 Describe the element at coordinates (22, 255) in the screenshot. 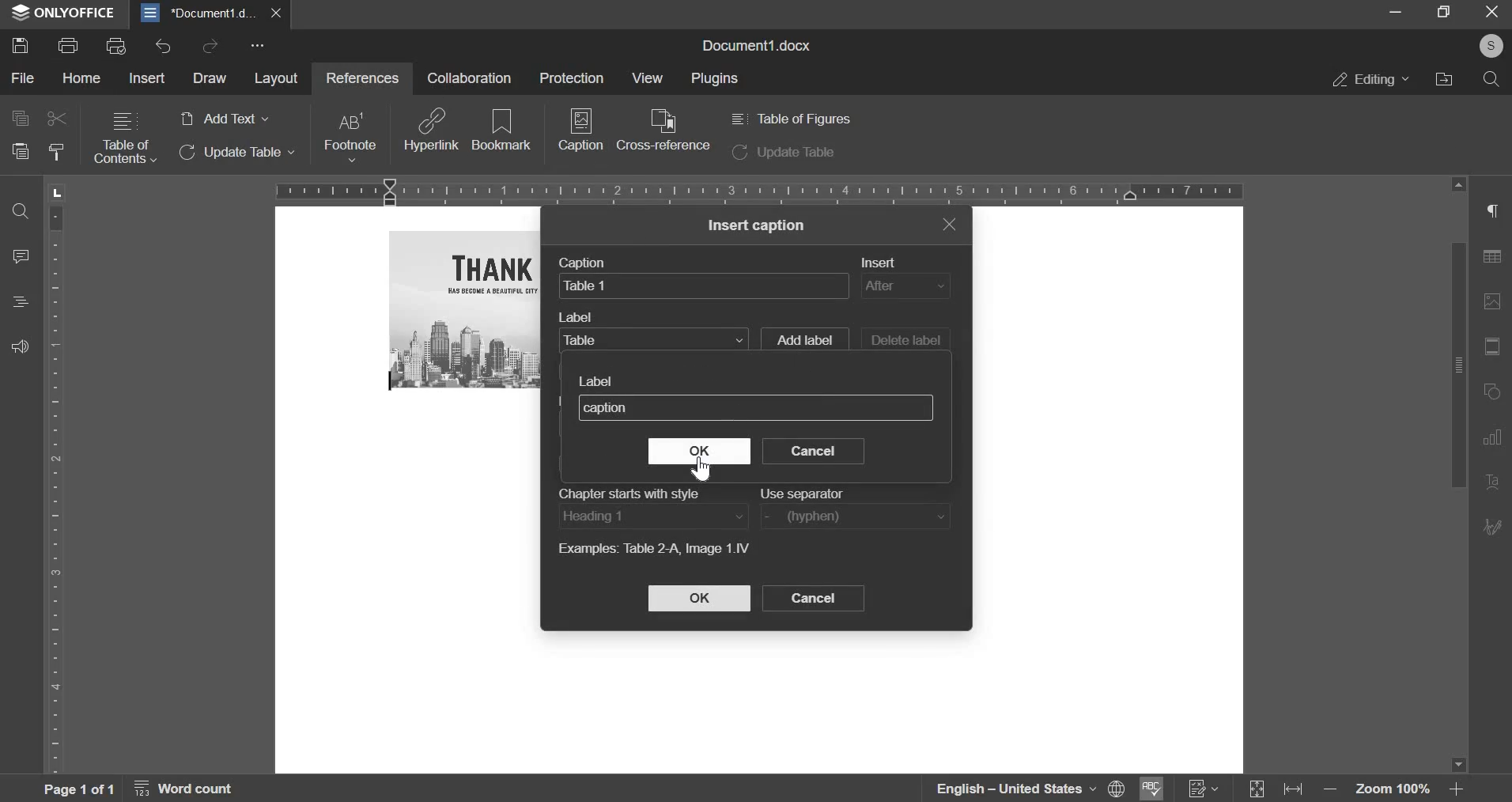

I see `comment` at that location.